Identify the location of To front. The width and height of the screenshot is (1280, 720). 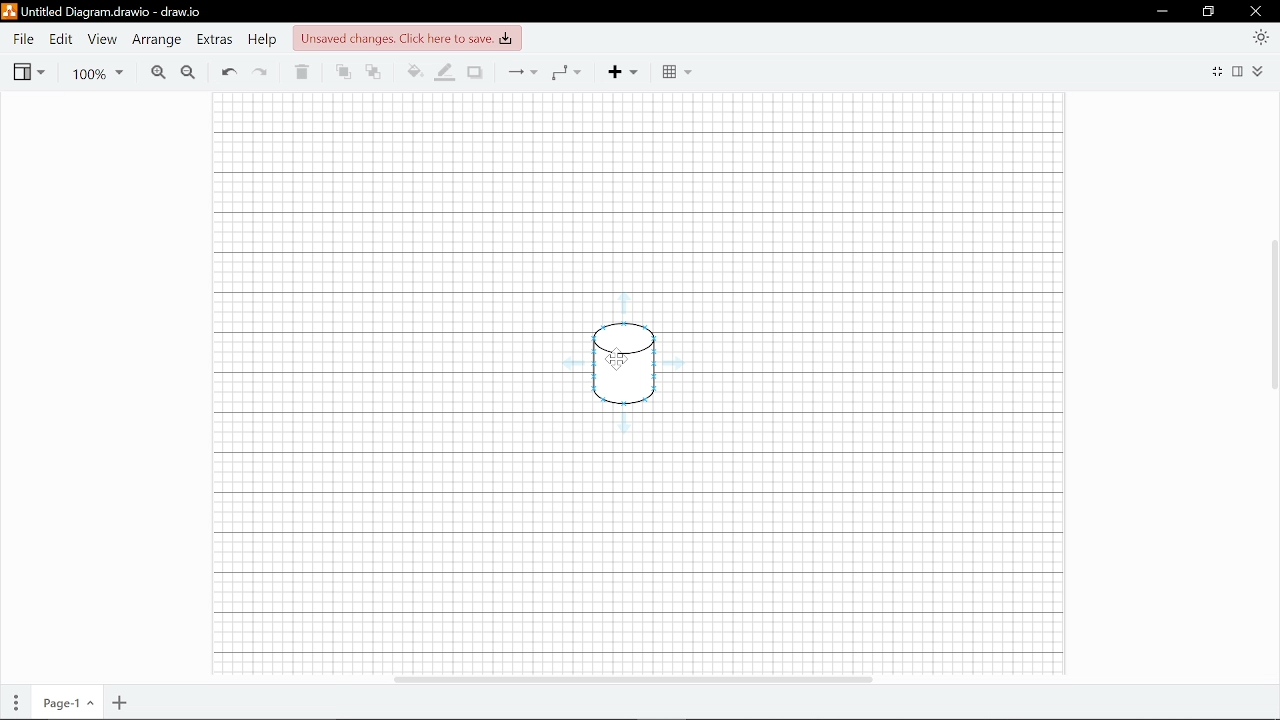
(343, 73).